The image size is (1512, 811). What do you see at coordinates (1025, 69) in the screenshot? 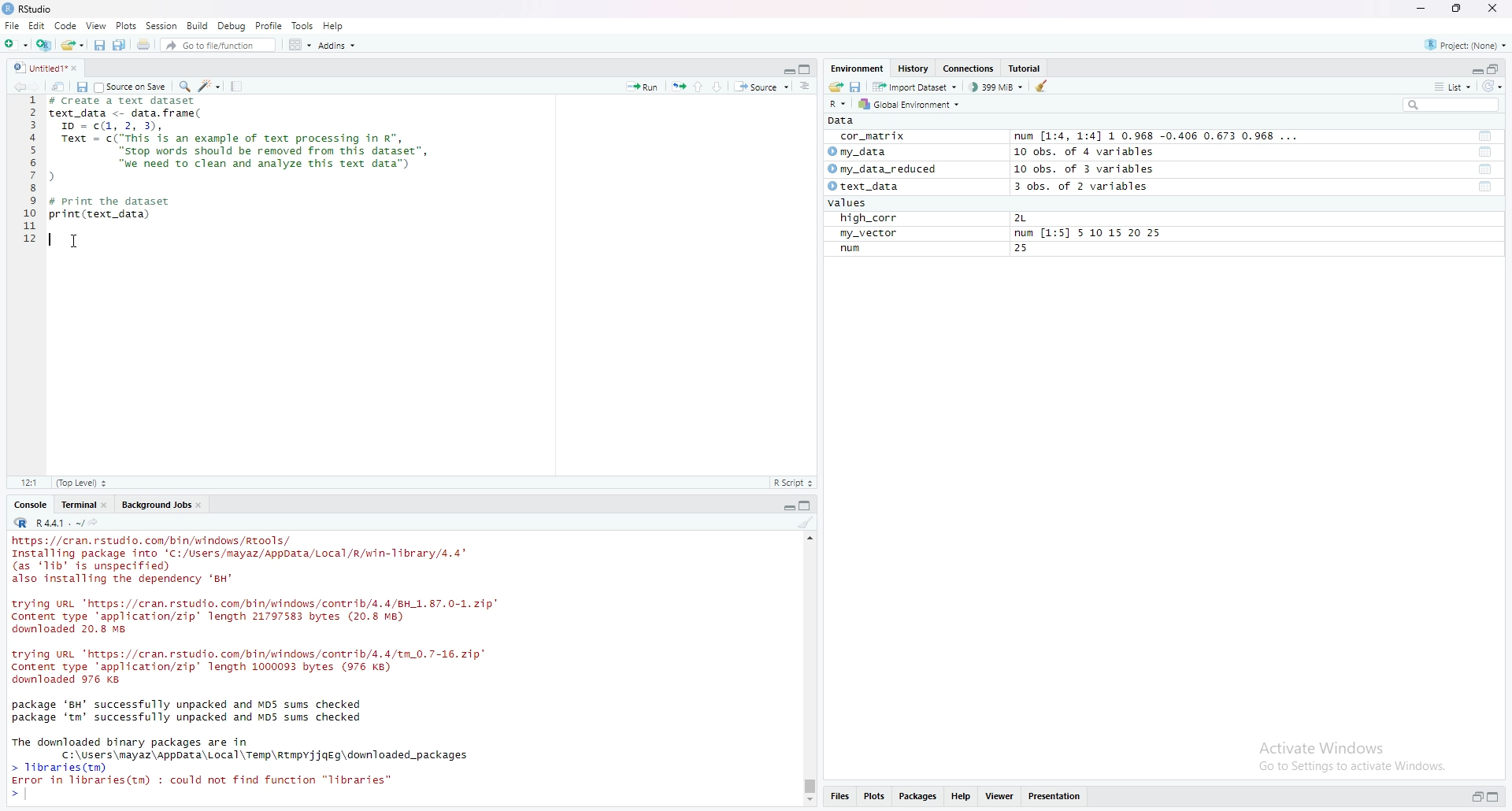
I see `tutorial` at bounding box center [1025, 69].